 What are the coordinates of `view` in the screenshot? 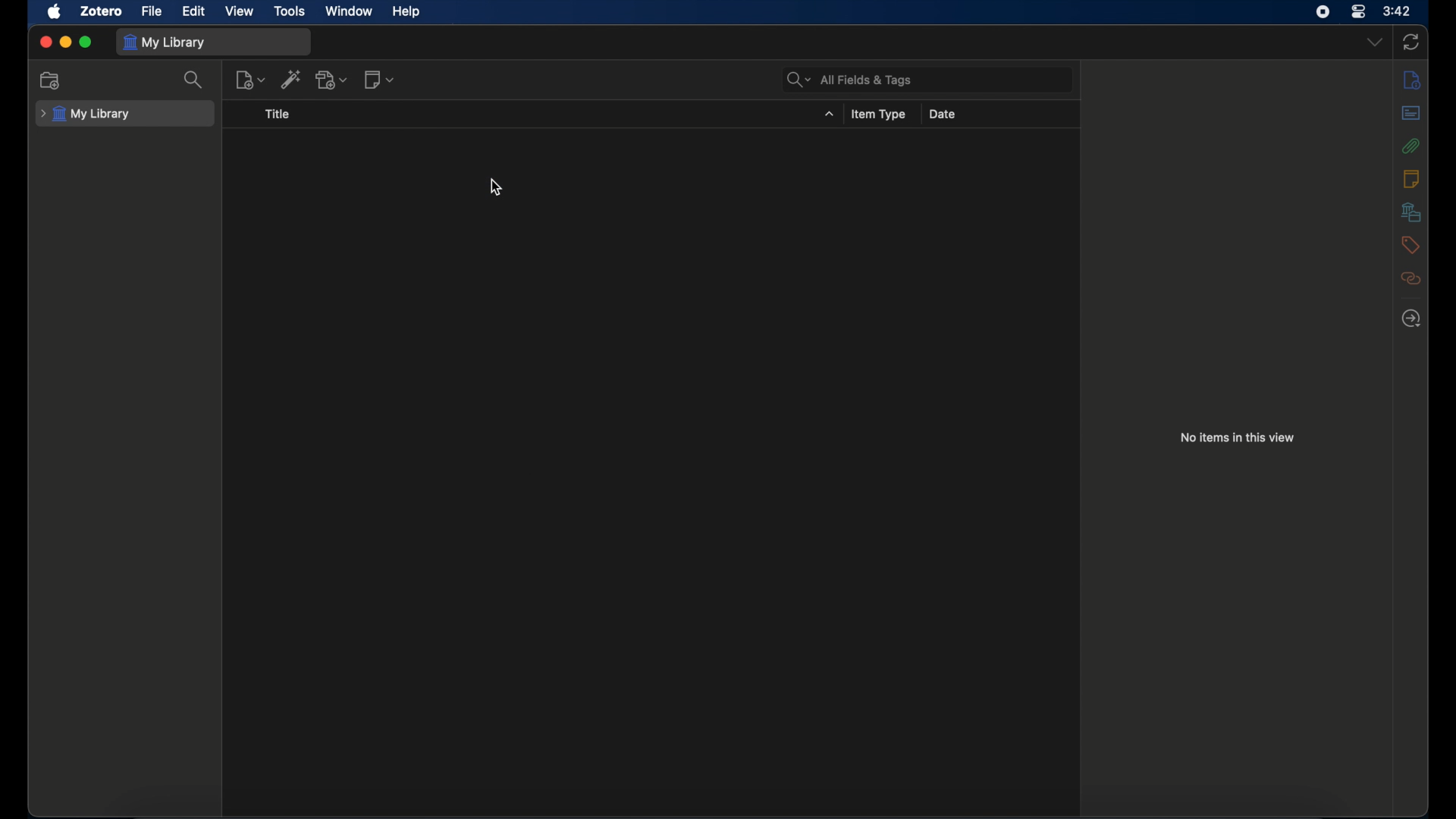 It's located at (240, 11).